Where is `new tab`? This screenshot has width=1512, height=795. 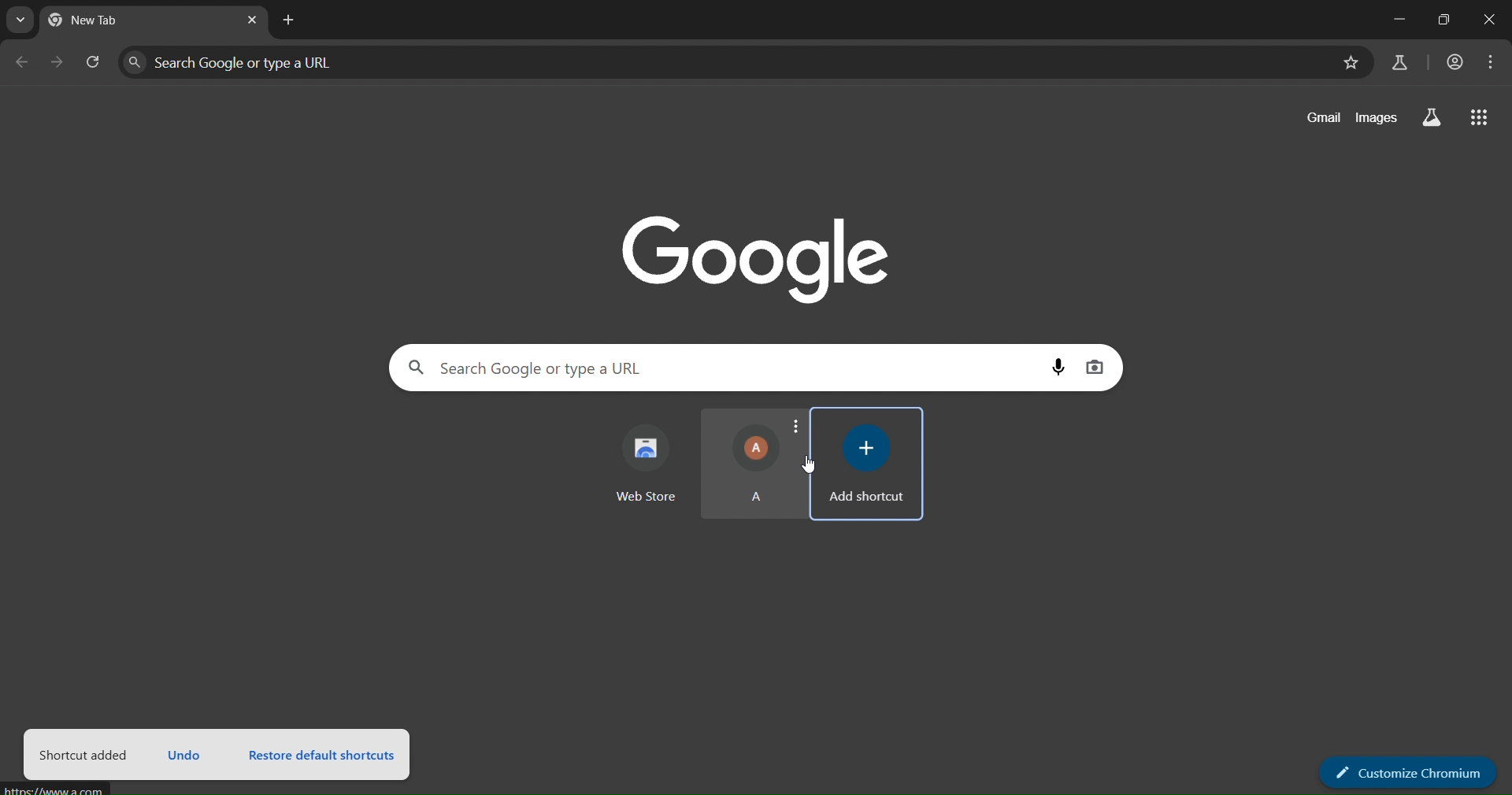
new tab is located at coordinates (292, 20).